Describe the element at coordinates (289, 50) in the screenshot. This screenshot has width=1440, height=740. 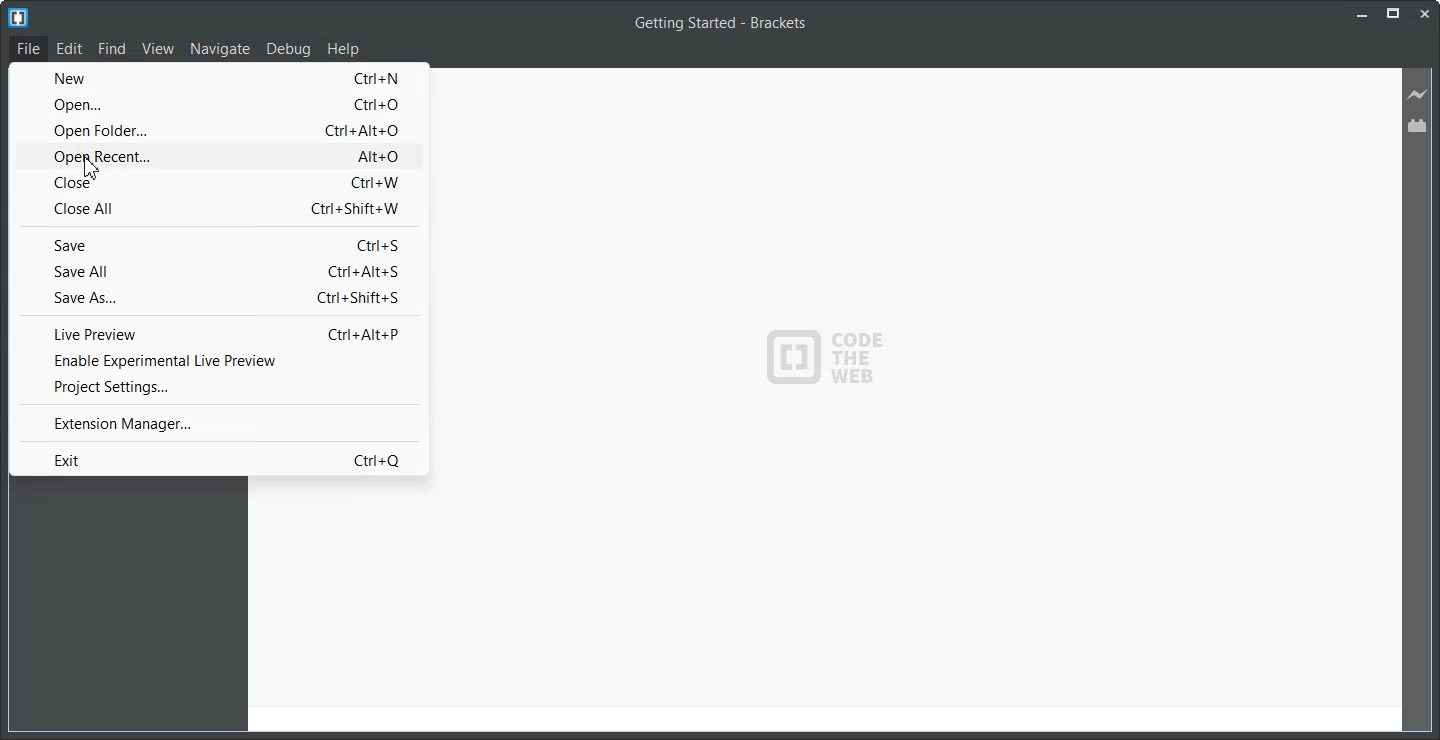
I see `Debug` at that location.